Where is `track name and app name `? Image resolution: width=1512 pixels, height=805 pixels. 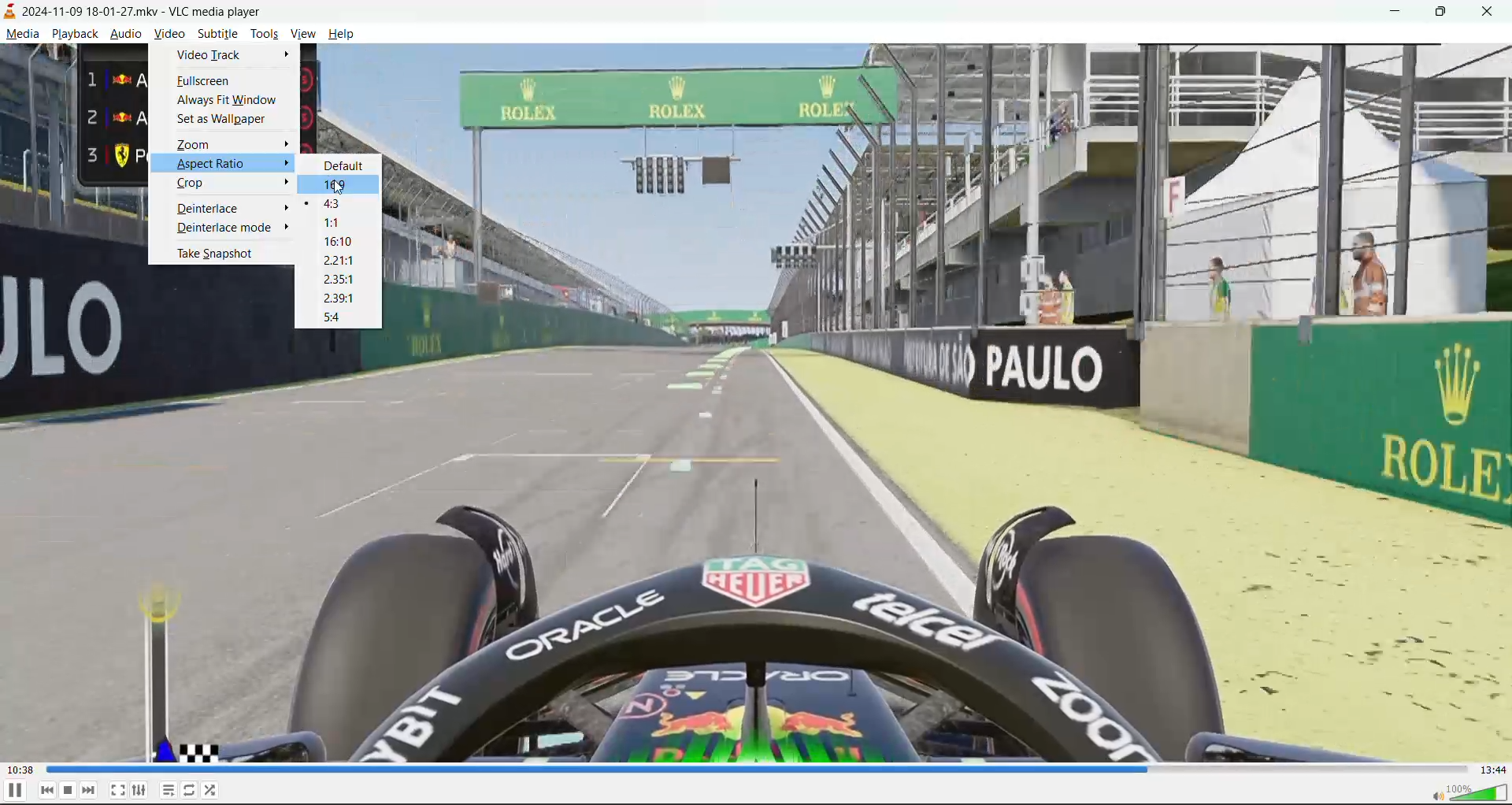
track name and app name  is located at coordinates (129, 13).